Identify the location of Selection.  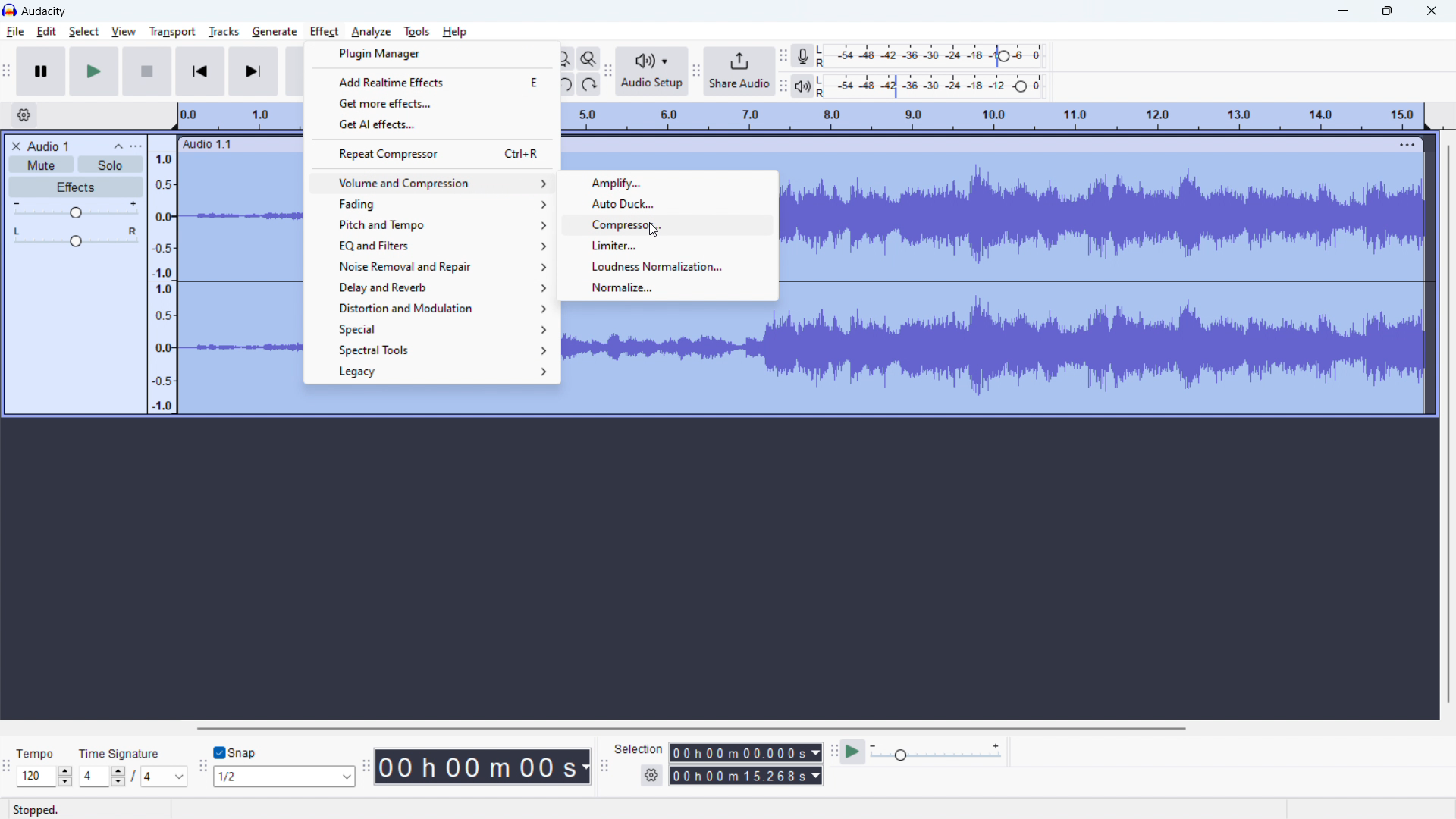
(639, 747).